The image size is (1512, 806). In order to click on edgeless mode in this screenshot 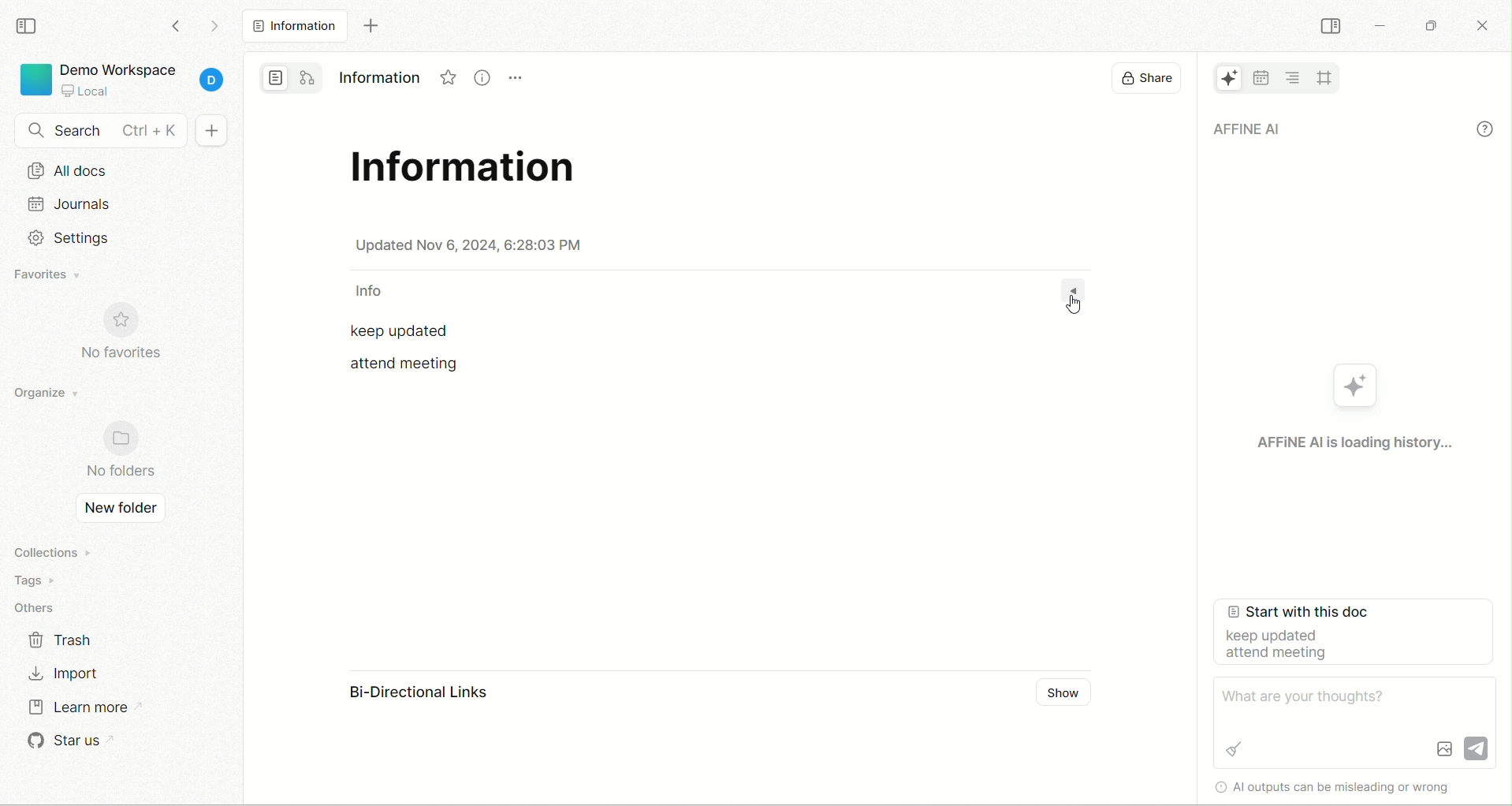, I will do `click(308, 77)`.